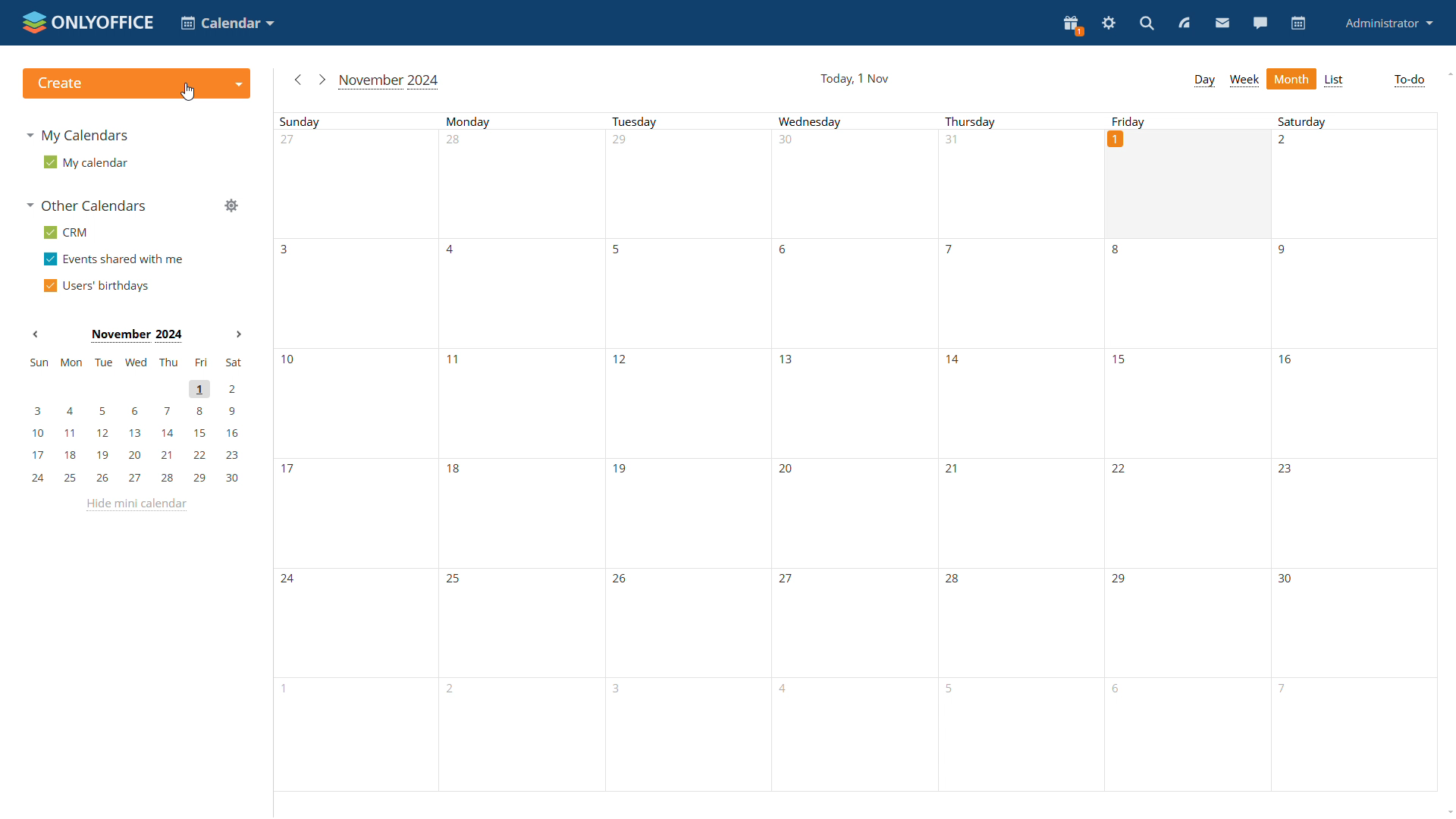  What do you see at coordinates (1188, 121) in the screenshot?
I see `Friday` at bounding box center [1188, 121].